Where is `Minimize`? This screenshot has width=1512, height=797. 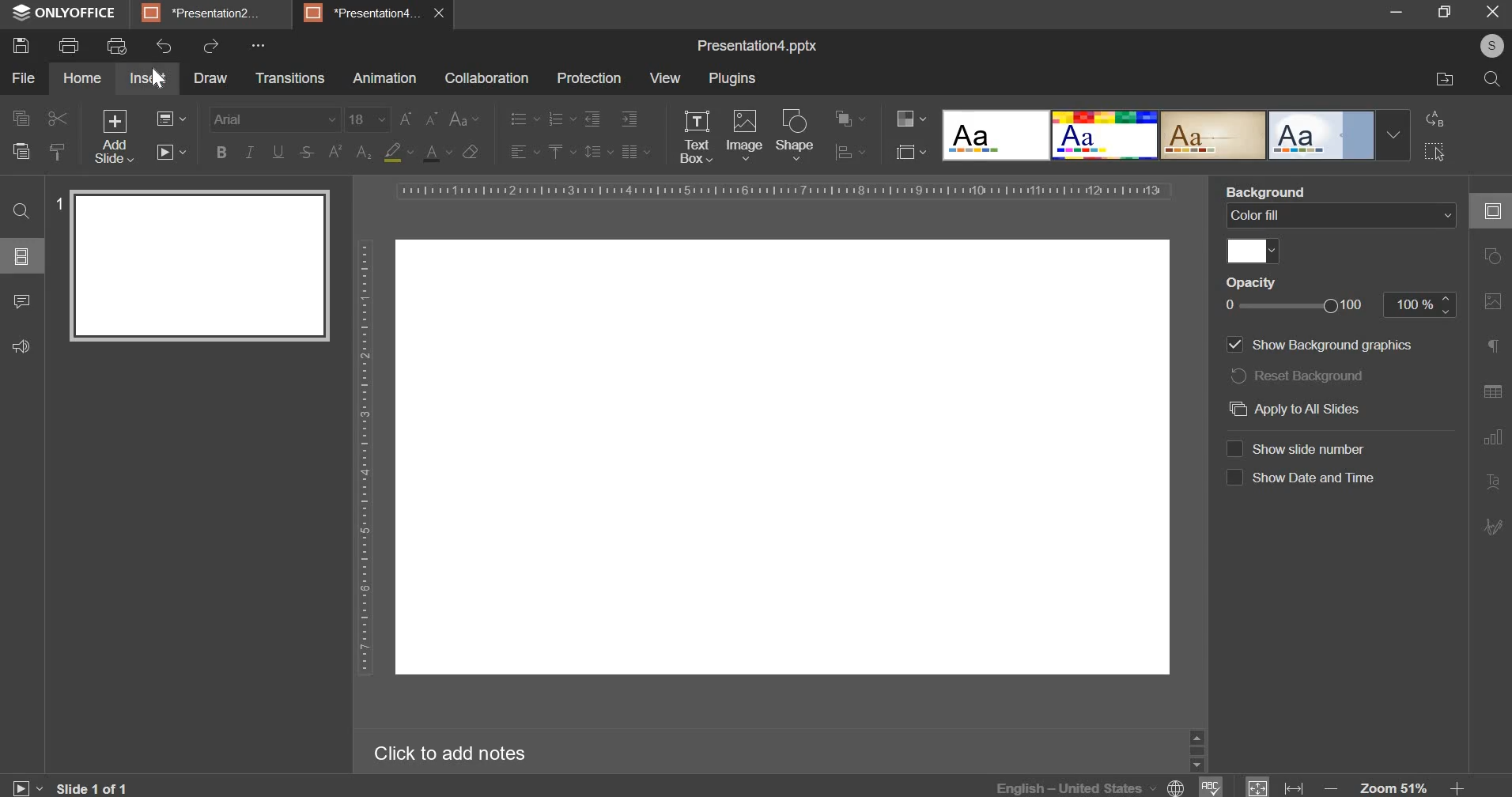
Minimize is located at coordinates (1400, 11).